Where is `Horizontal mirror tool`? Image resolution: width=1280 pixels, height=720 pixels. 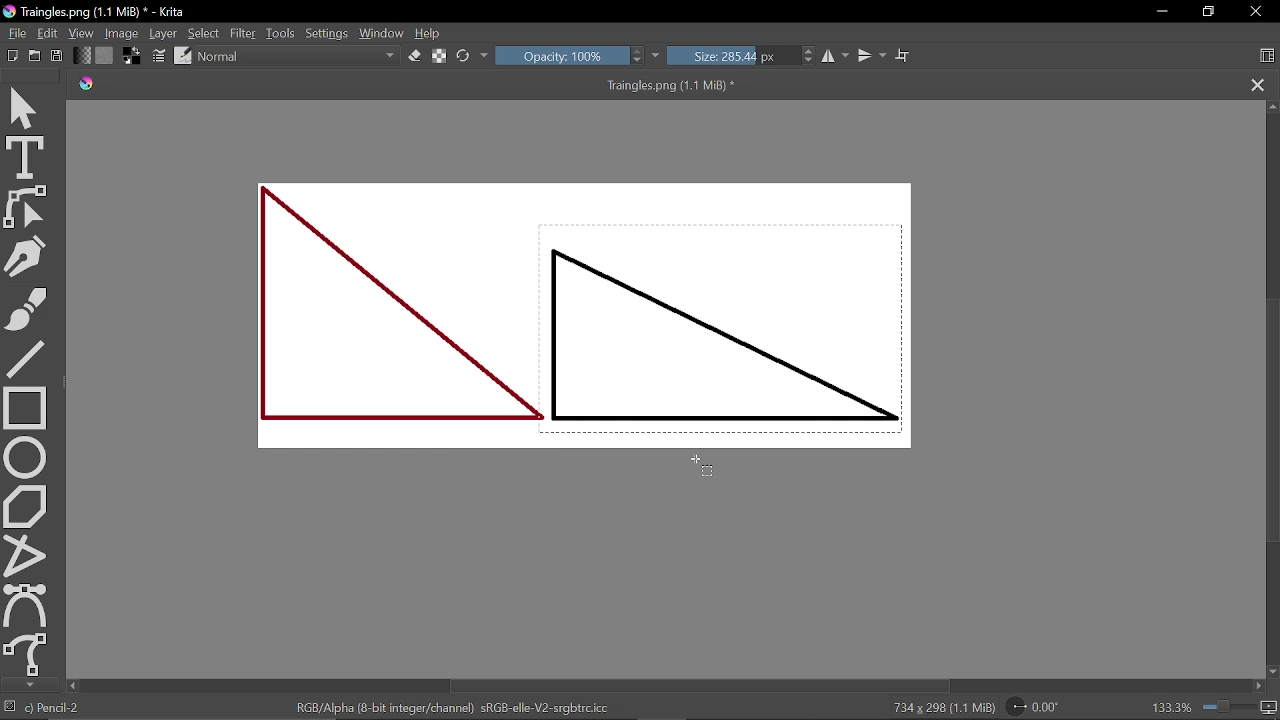 Horizontal mirror tool is located at coordinates (836, 57).